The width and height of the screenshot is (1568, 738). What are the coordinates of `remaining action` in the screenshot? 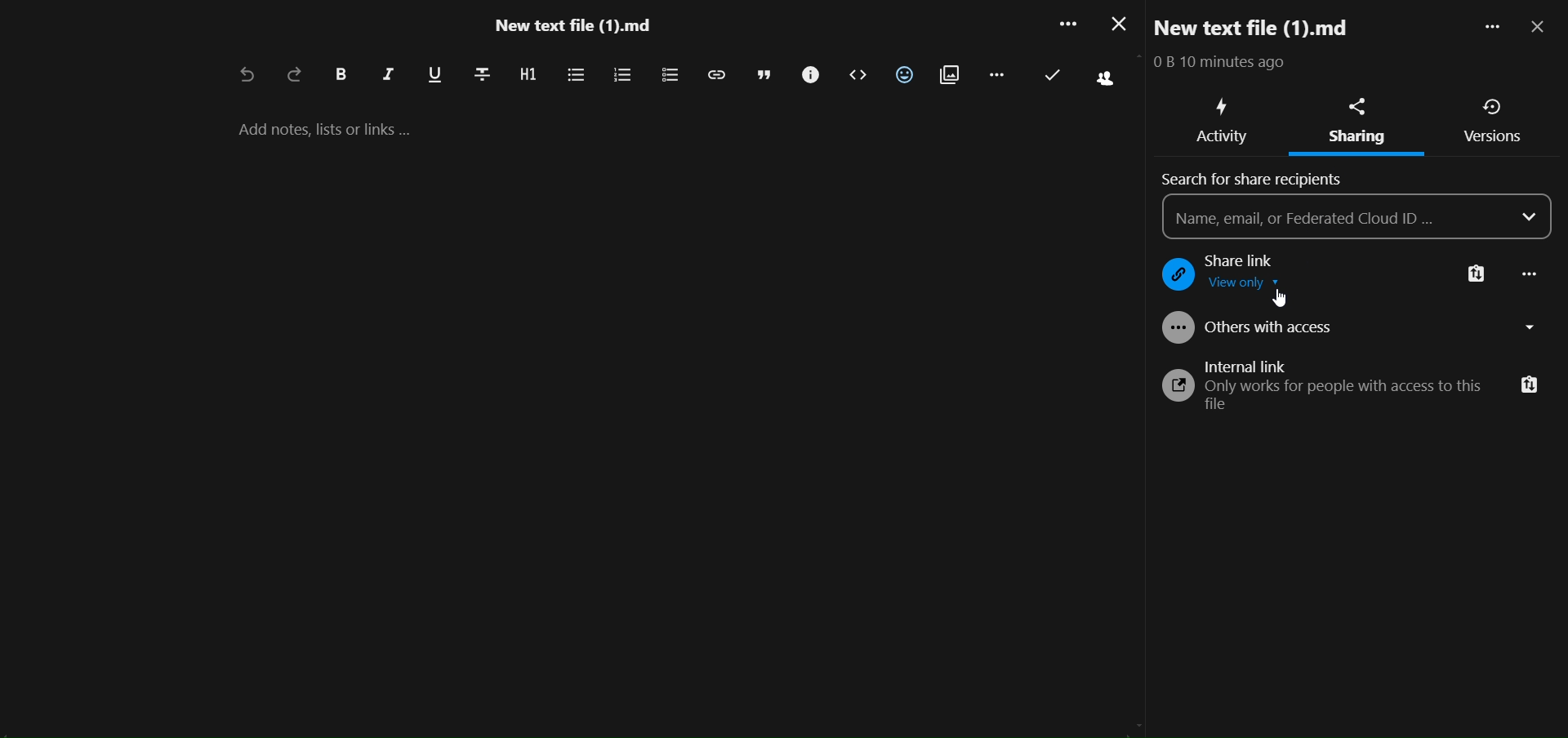 It's located at (996, 73).